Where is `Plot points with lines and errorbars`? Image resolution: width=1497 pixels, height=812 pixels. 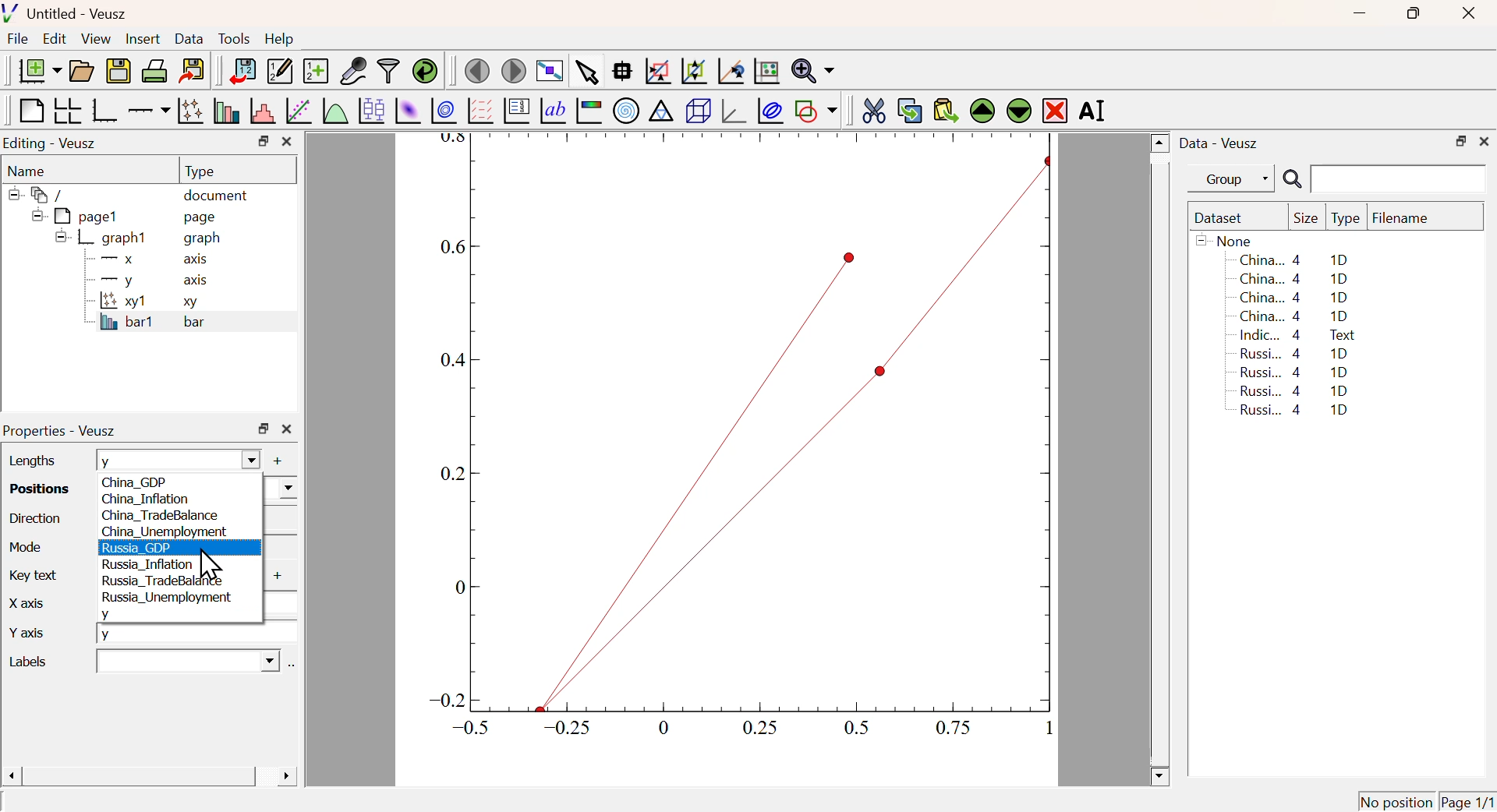 Plot points with lines and errorbars is located at coordinates (192, 111).